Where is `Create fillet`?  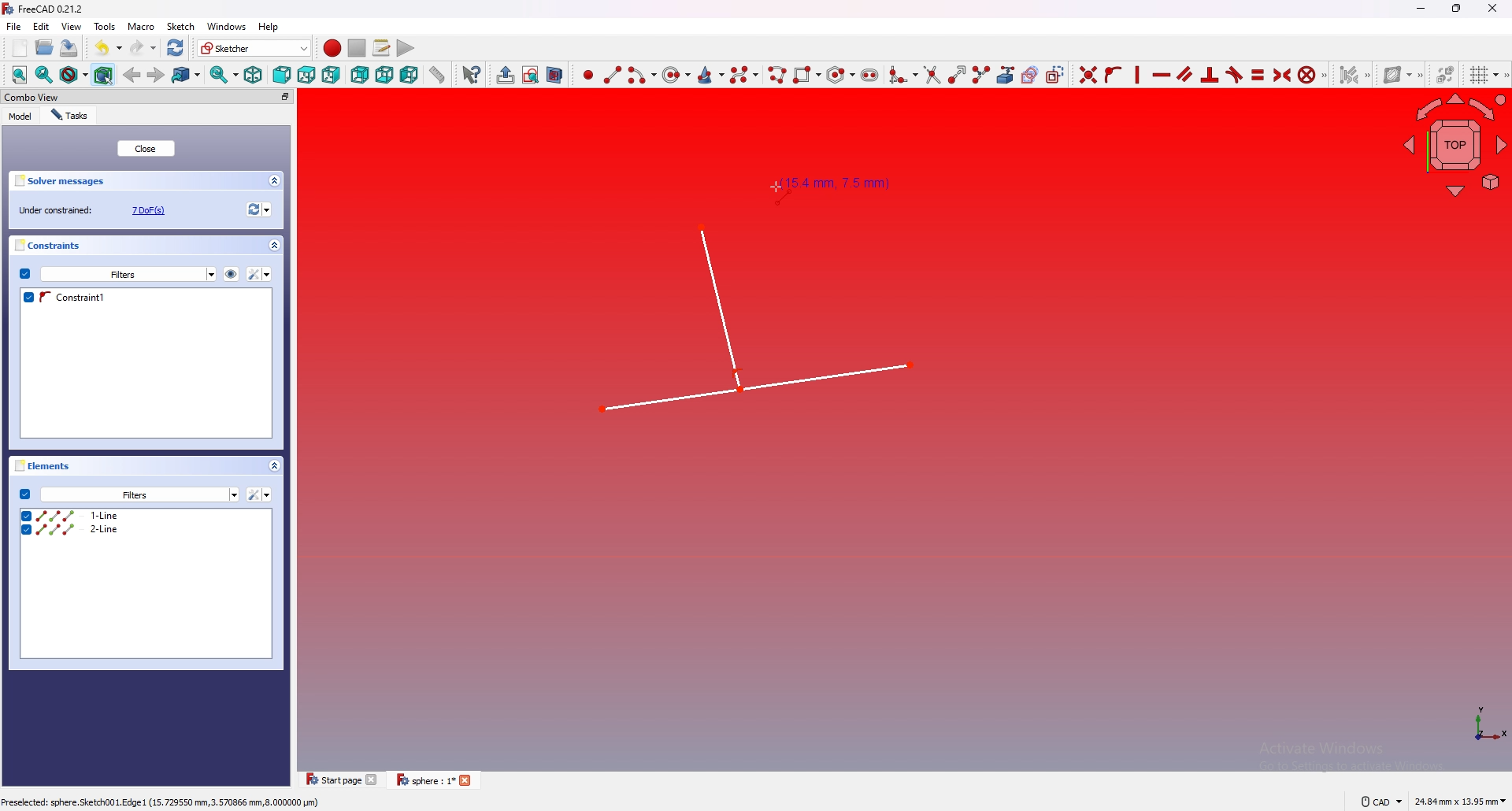
Create fillet is located at coordinates (902, 73).